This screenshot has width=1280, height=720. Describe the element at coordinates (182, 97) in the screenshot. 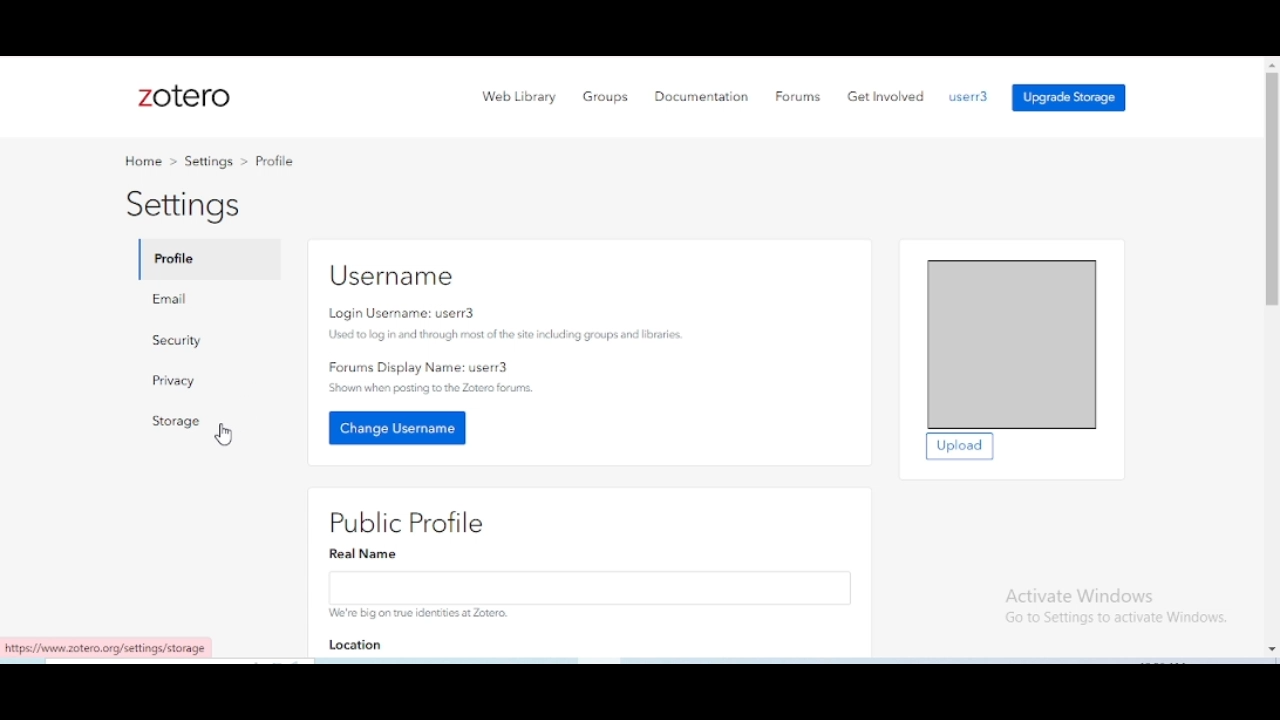

I see `zotero` at that location.